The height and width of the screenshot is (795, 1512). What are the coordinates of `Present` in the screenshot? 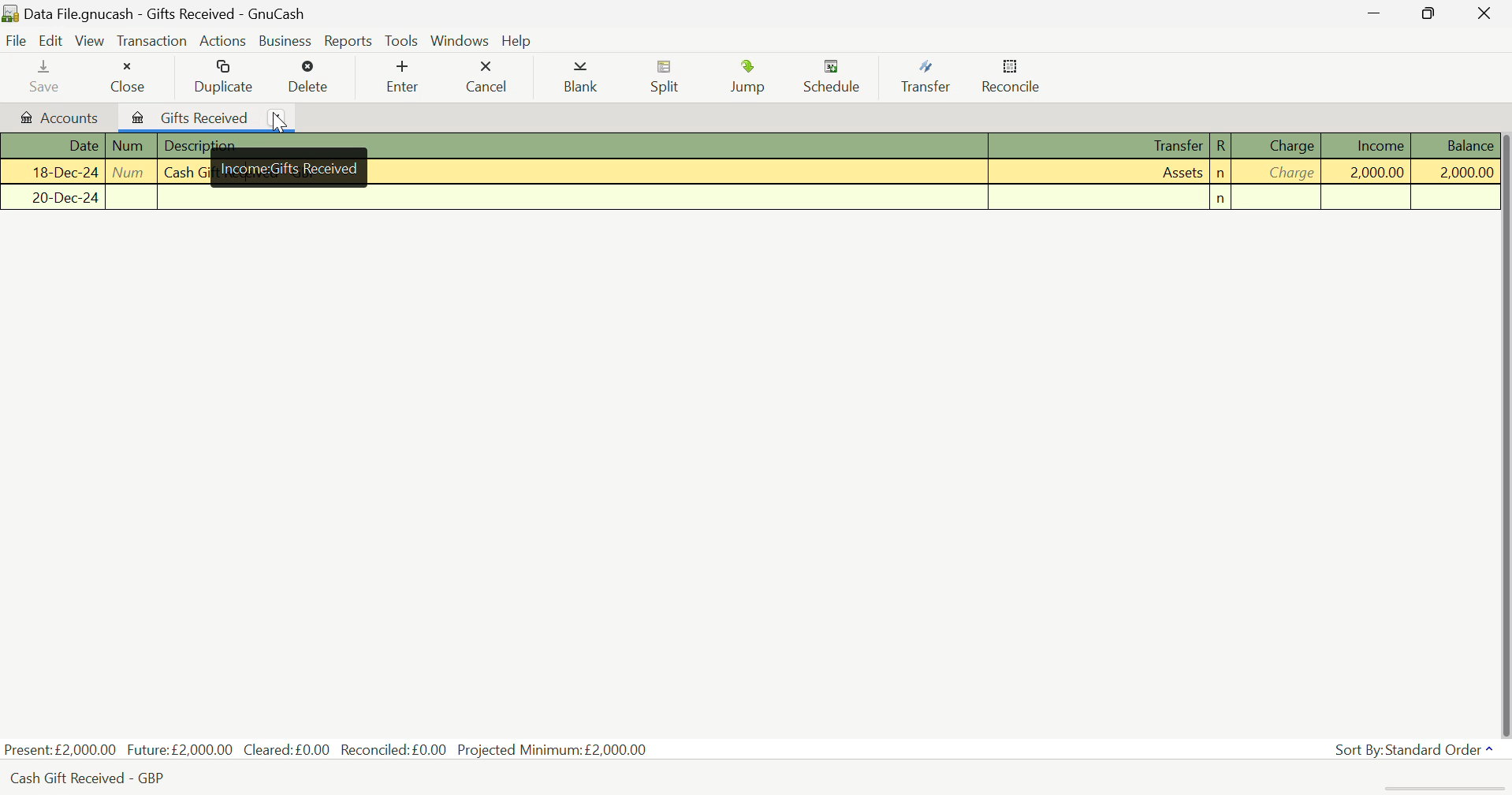 It's located at (61, 749).